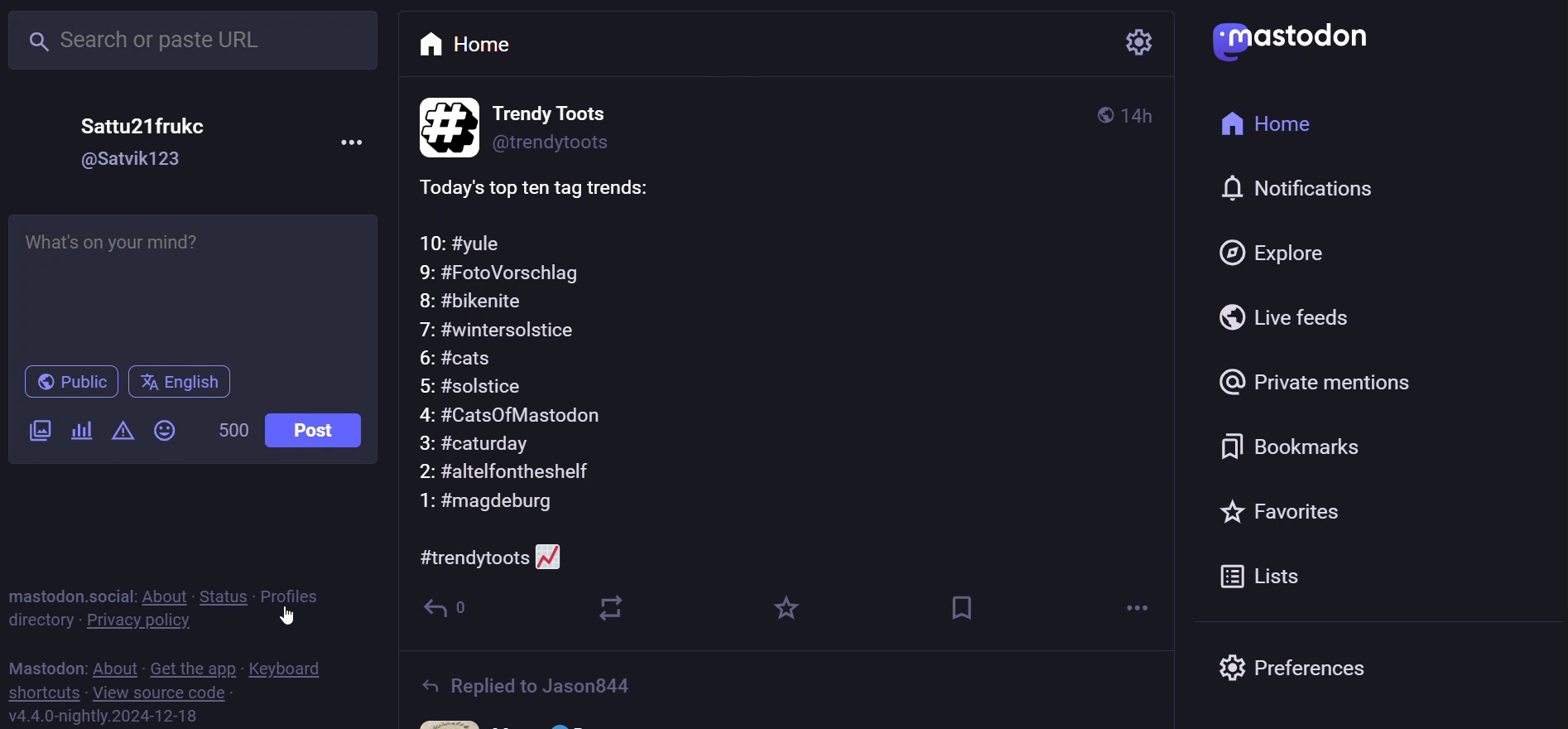  What do you see at coordinates (70, 384) in the screenshot?
I see `public` at bounding box center [70, 384].